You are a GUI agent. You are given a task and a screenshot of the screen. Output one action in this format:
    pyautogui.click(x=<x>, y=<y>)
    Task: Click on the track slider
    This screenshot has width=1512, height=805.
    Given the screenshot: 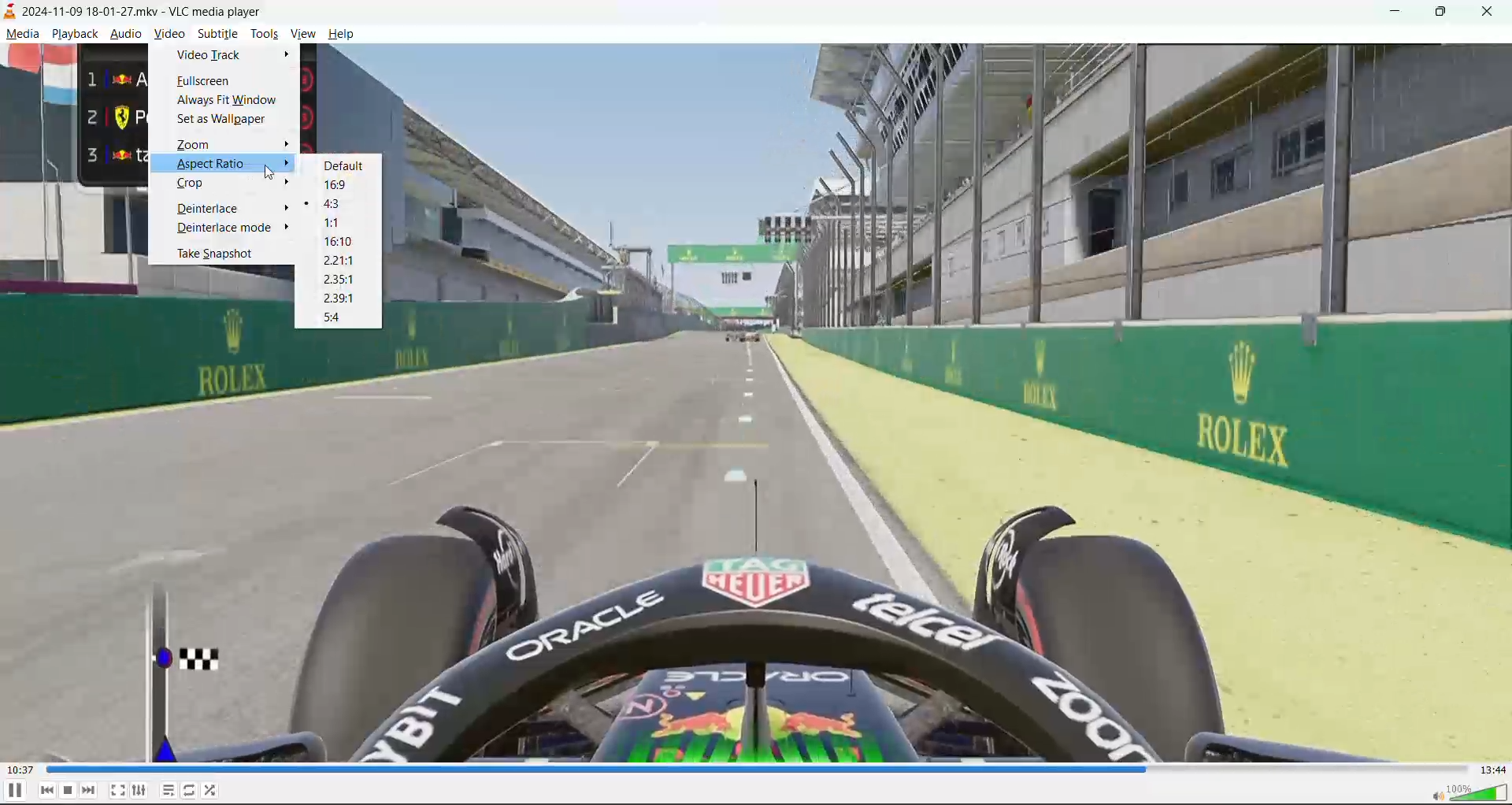 What is the action you would take?
    pyautogui.click(x=756, y=768)
    